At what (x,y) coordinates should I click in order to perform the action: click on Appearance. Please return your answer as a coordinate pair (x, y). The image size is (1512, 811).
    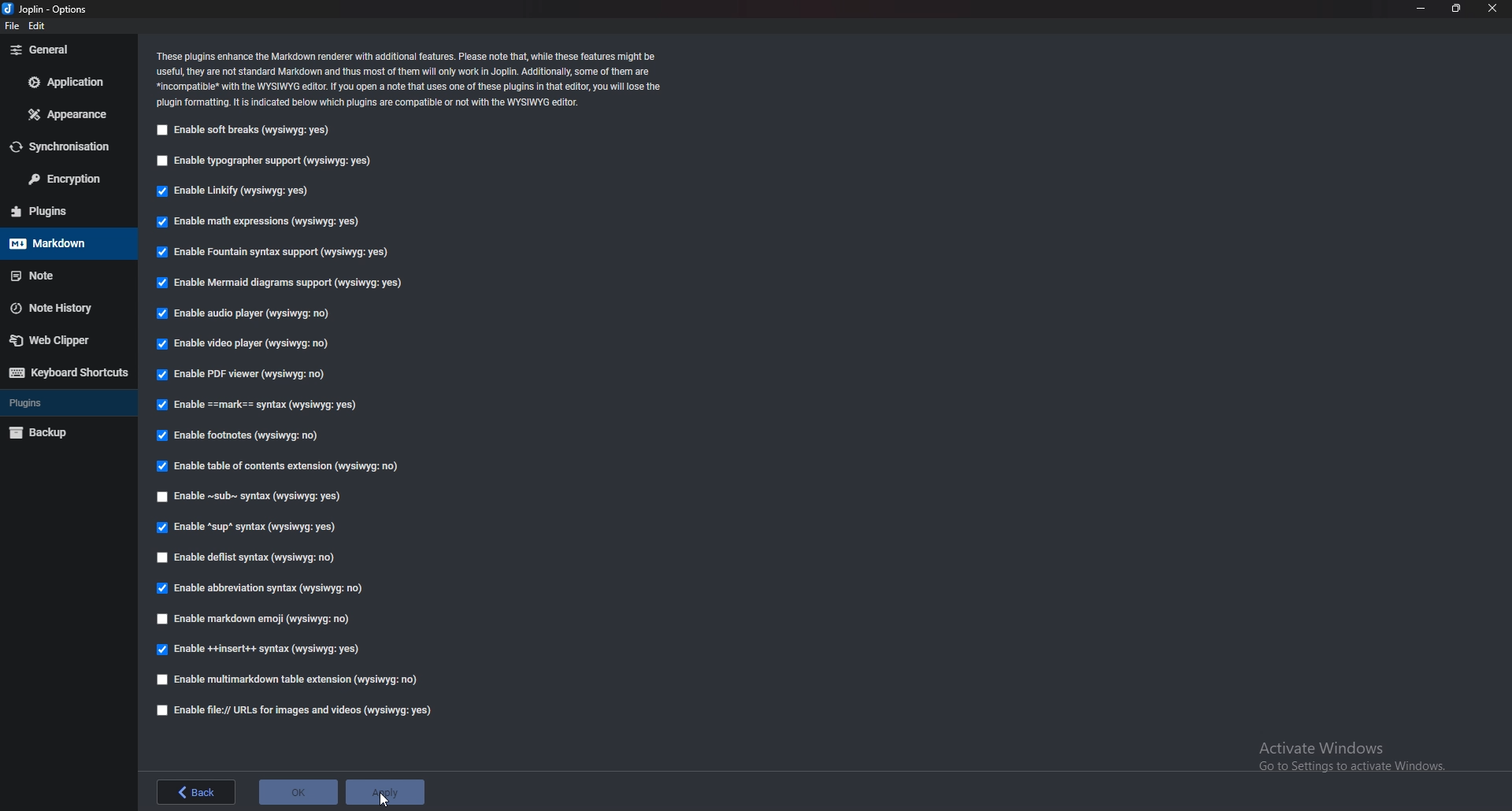
    Looking at the image, I should click on (64, 114).